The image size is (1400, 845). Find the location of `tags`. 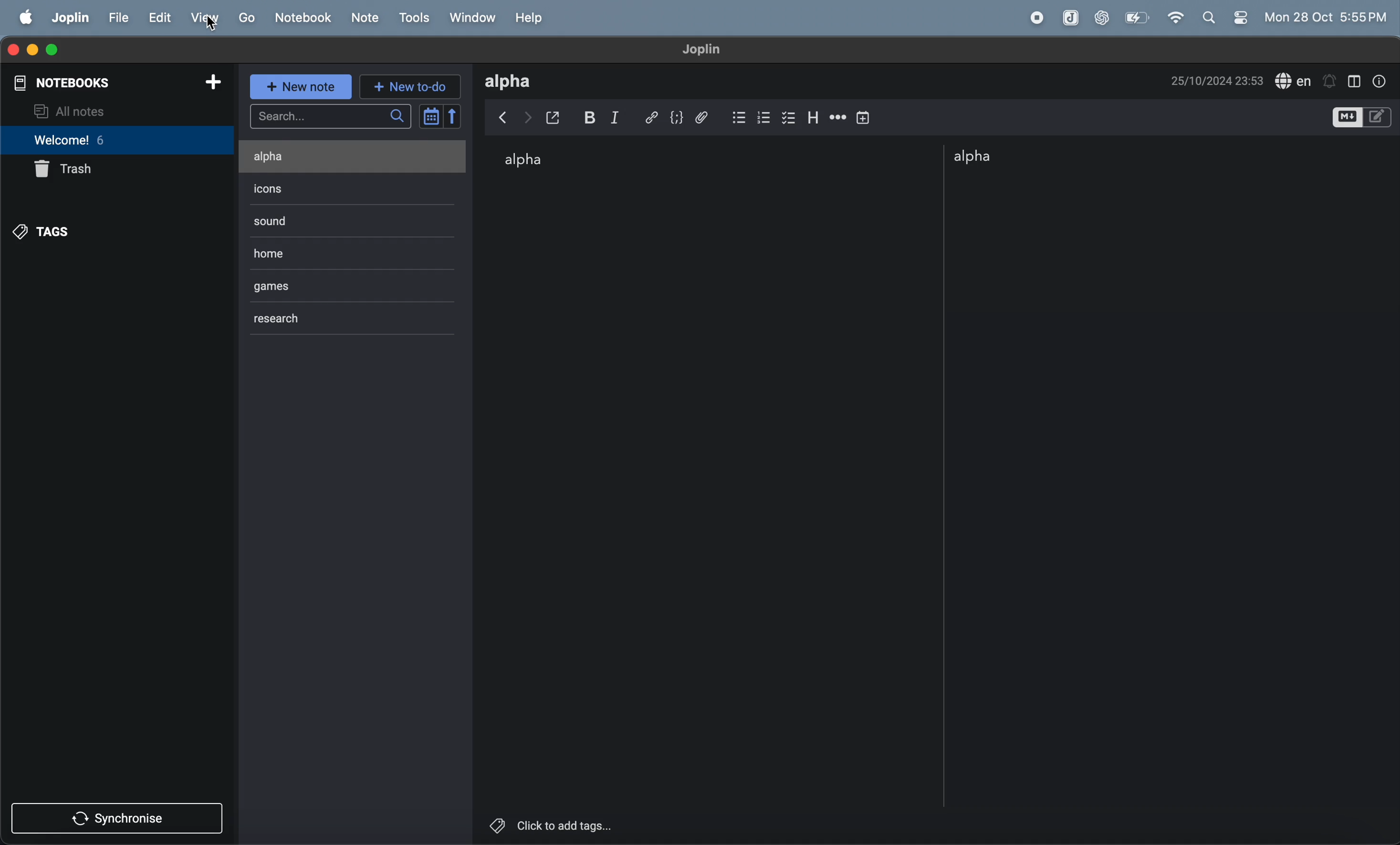

tags is located at coordinates (45, 232).